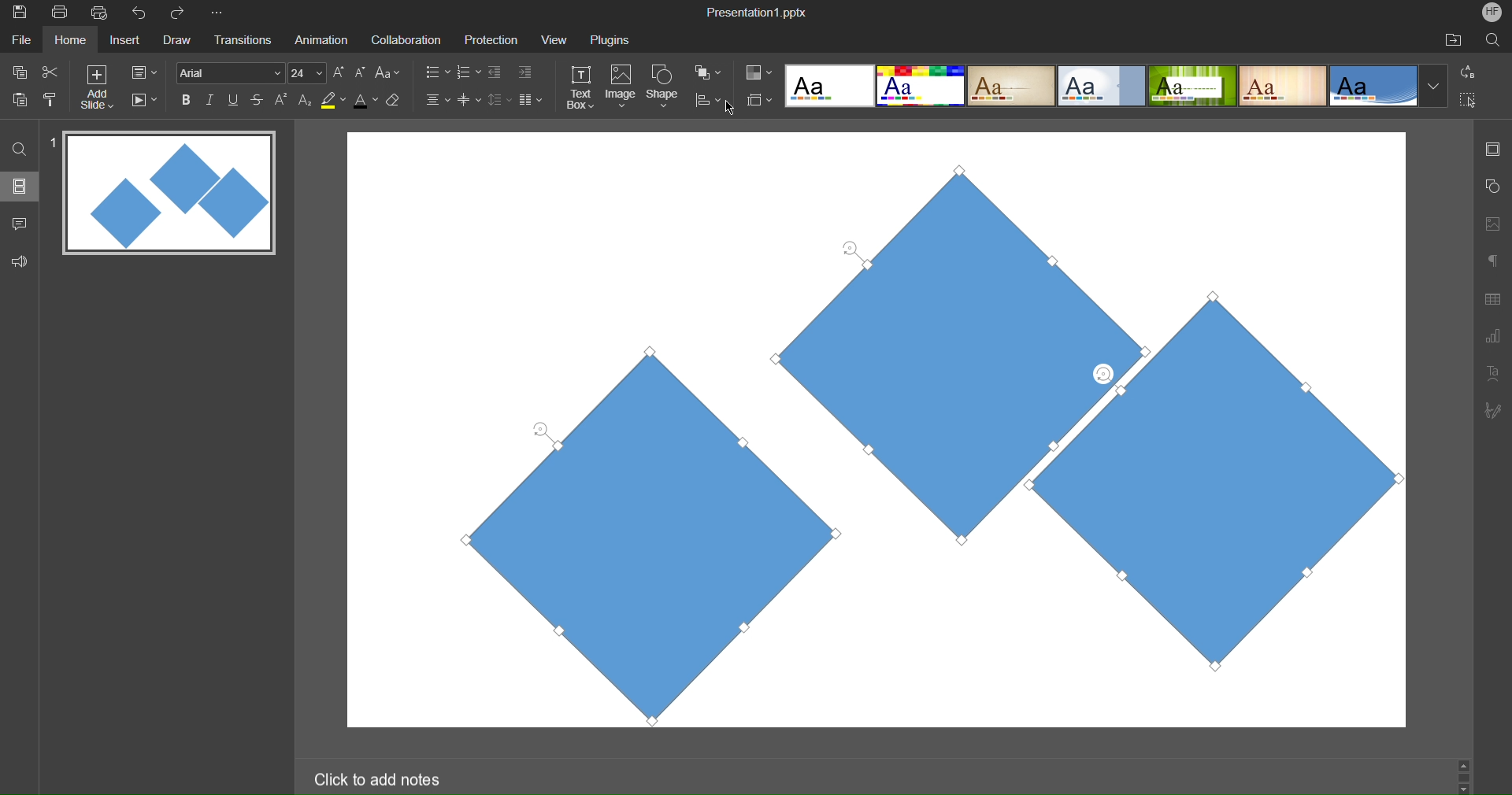 The width and height of the screenshot is (1512, 795). What do you see at coordinates (1493, 372) in the screenshot?
I see `Text Art` at bounding box center [1493, 372].